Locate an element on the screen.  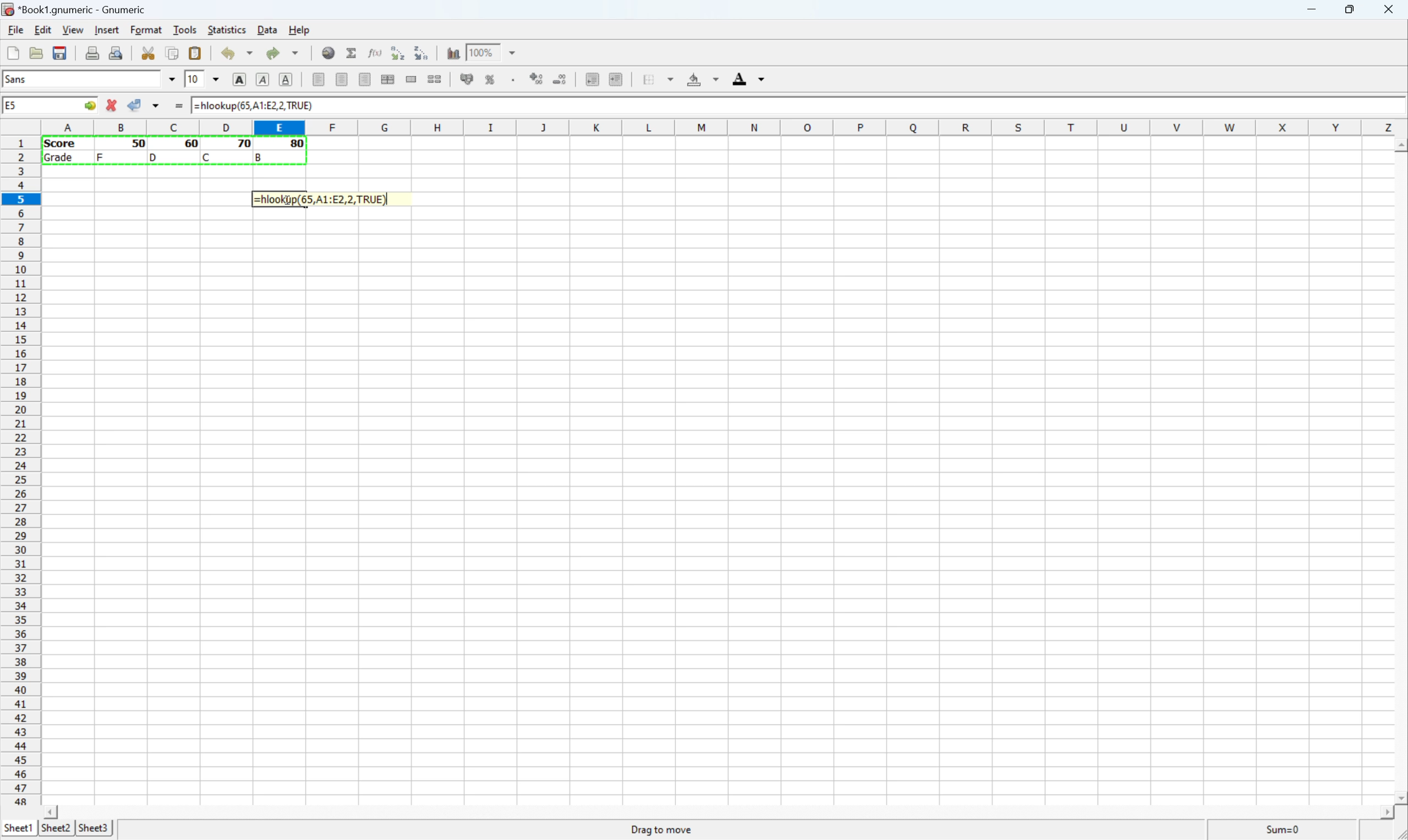
10 is located at coordinates (190, 80).